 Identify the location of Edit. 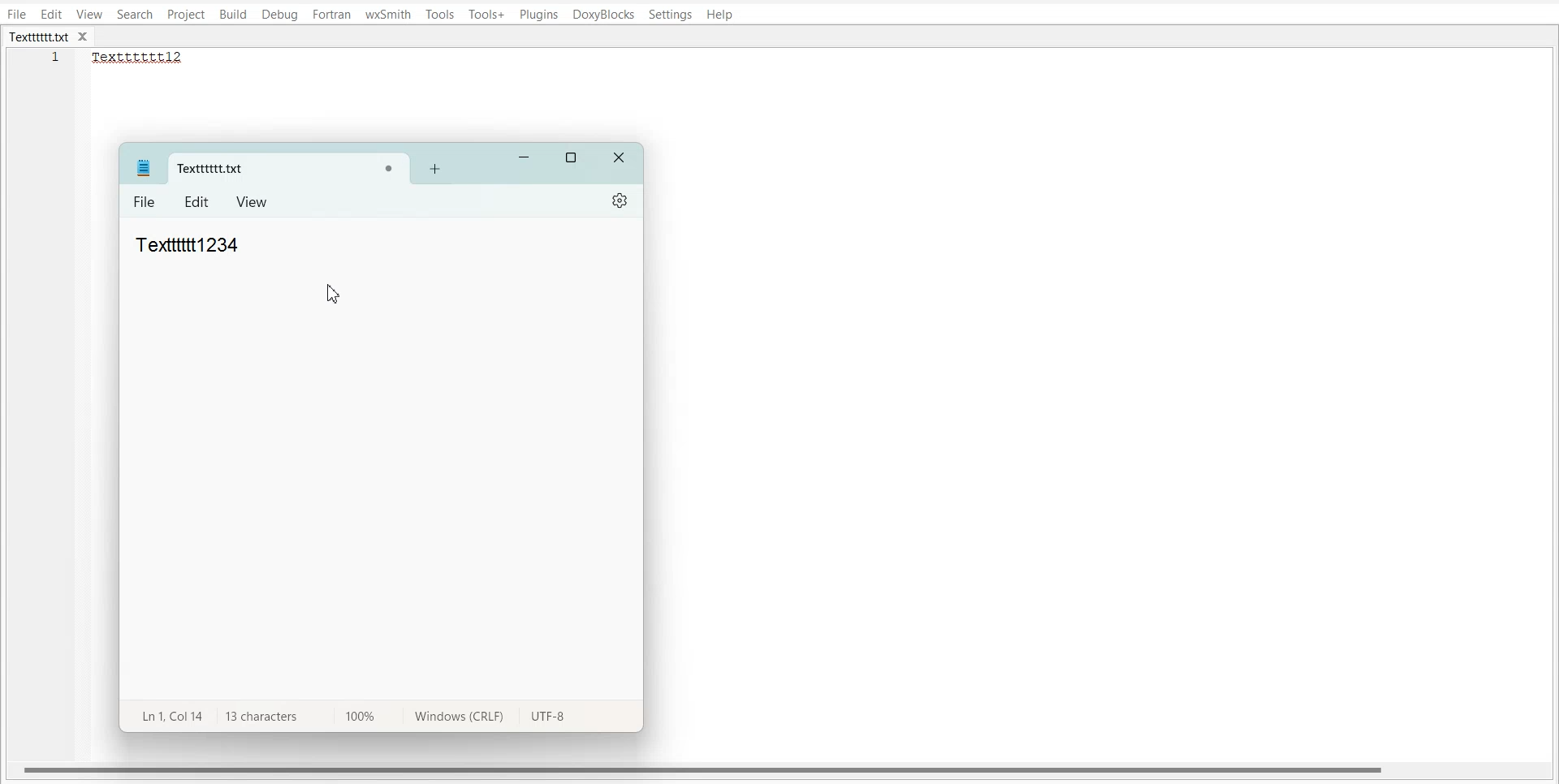
(51, 14).